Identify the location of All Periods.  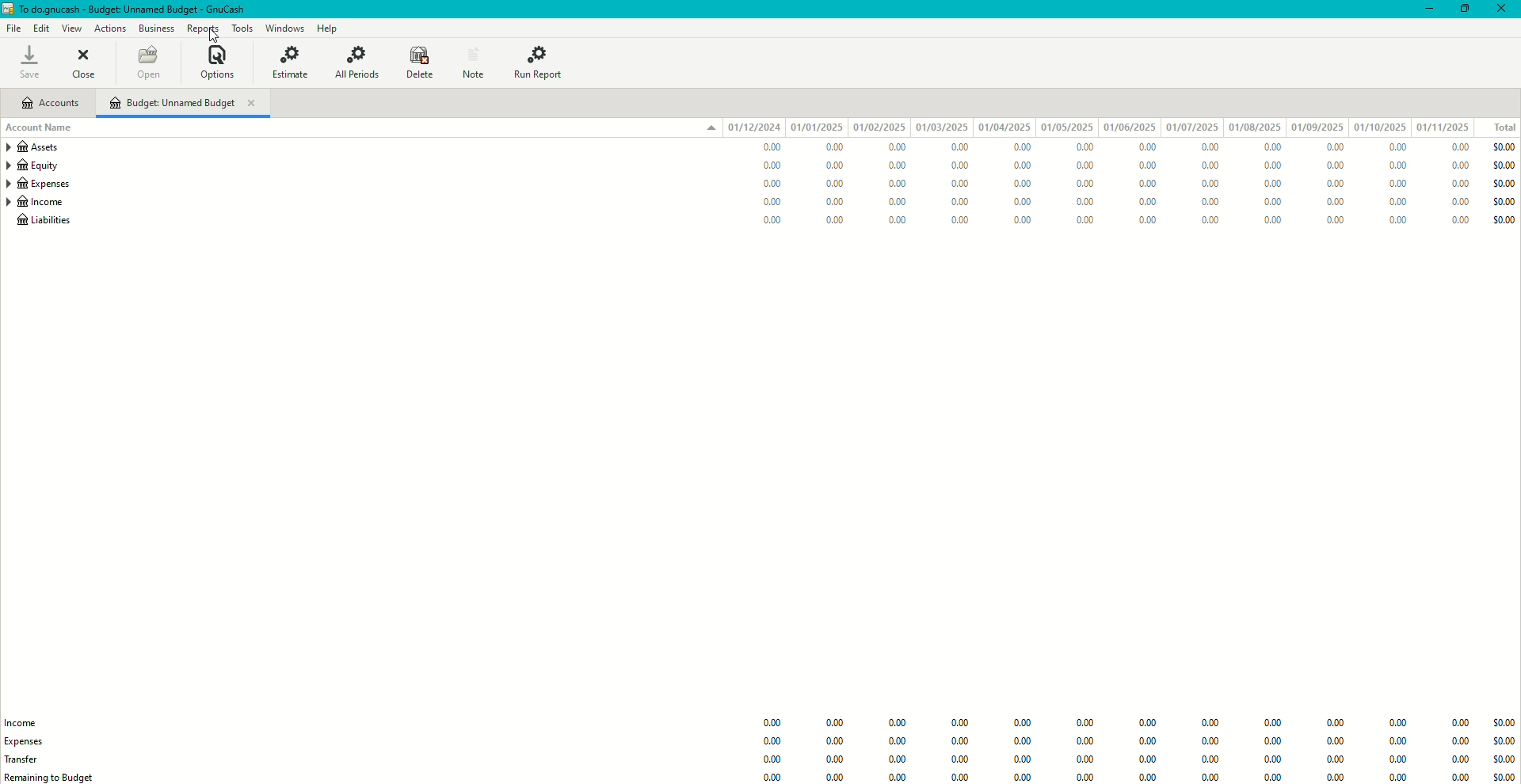
(360, 63).